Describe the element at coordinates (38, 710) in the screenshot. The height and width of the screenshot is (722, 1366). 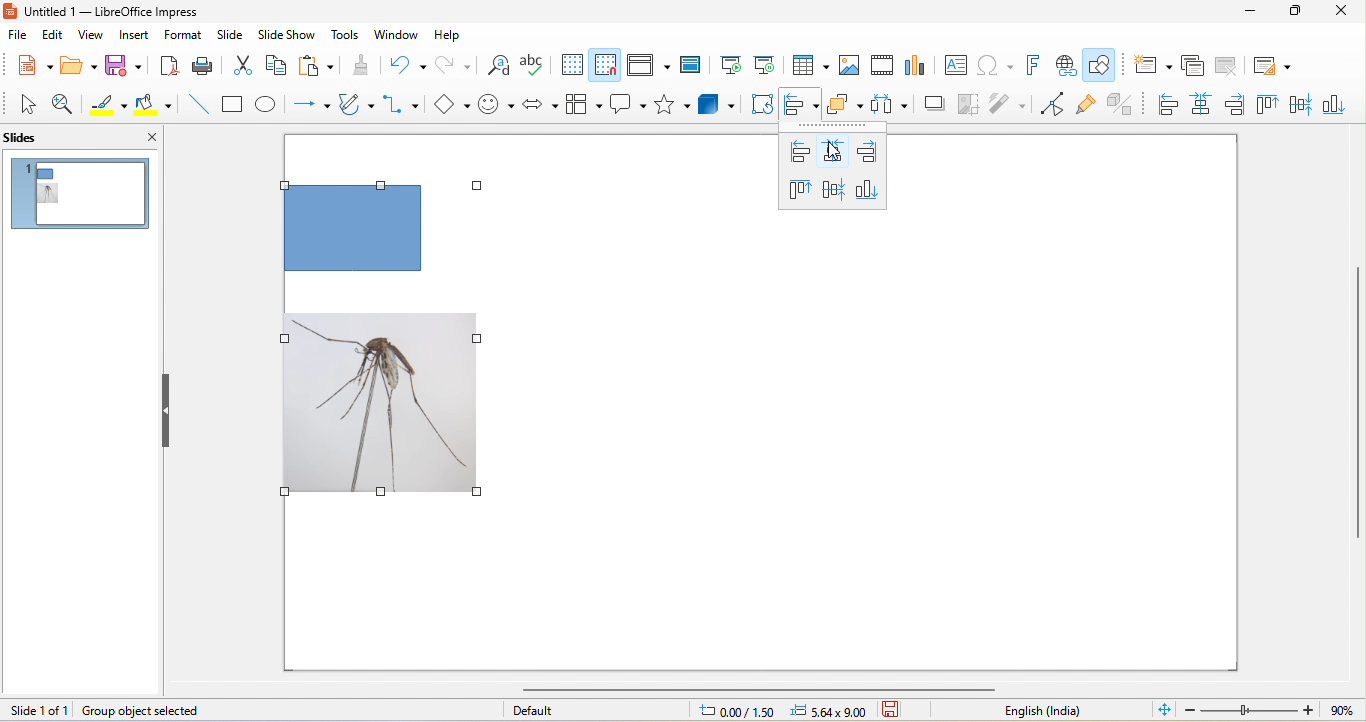
I see `slide 1 of 1` at that location.